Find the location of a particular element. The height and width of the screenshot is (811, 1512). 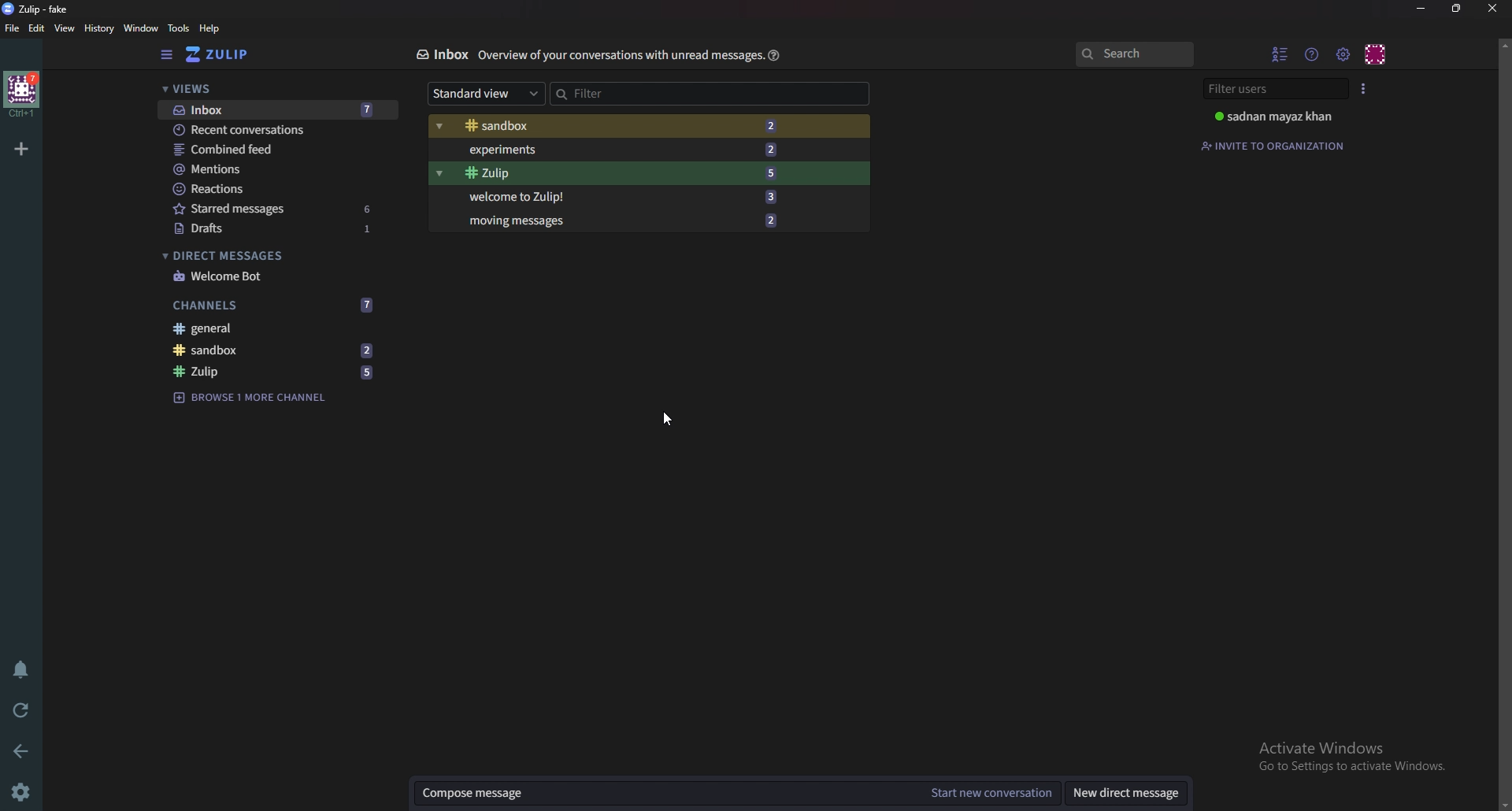

Inbox is located at coordinates (444, 54).